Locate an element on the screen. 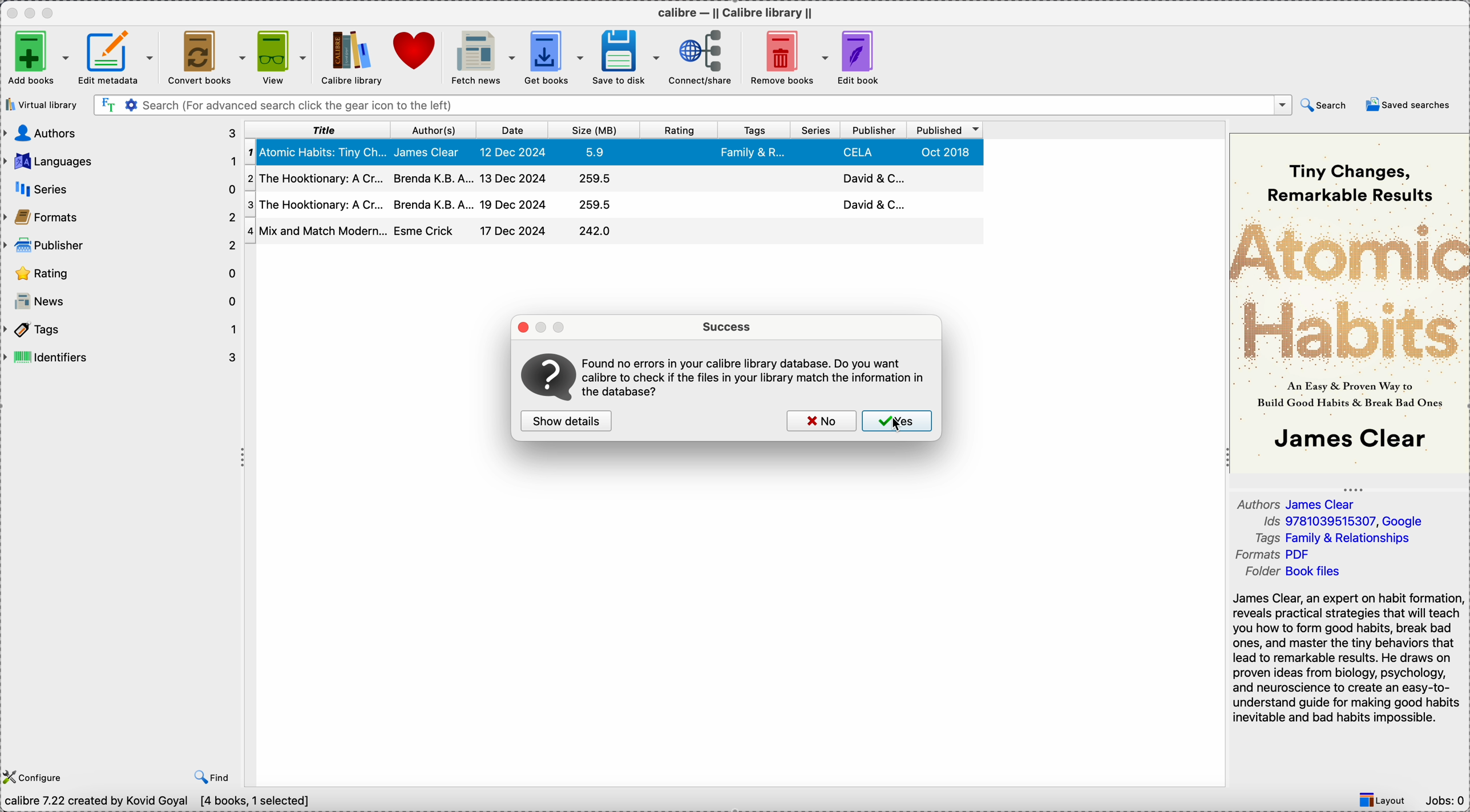 The height and width of the screenshot is (812, 1470). tags is located at coordinates (122, 329).